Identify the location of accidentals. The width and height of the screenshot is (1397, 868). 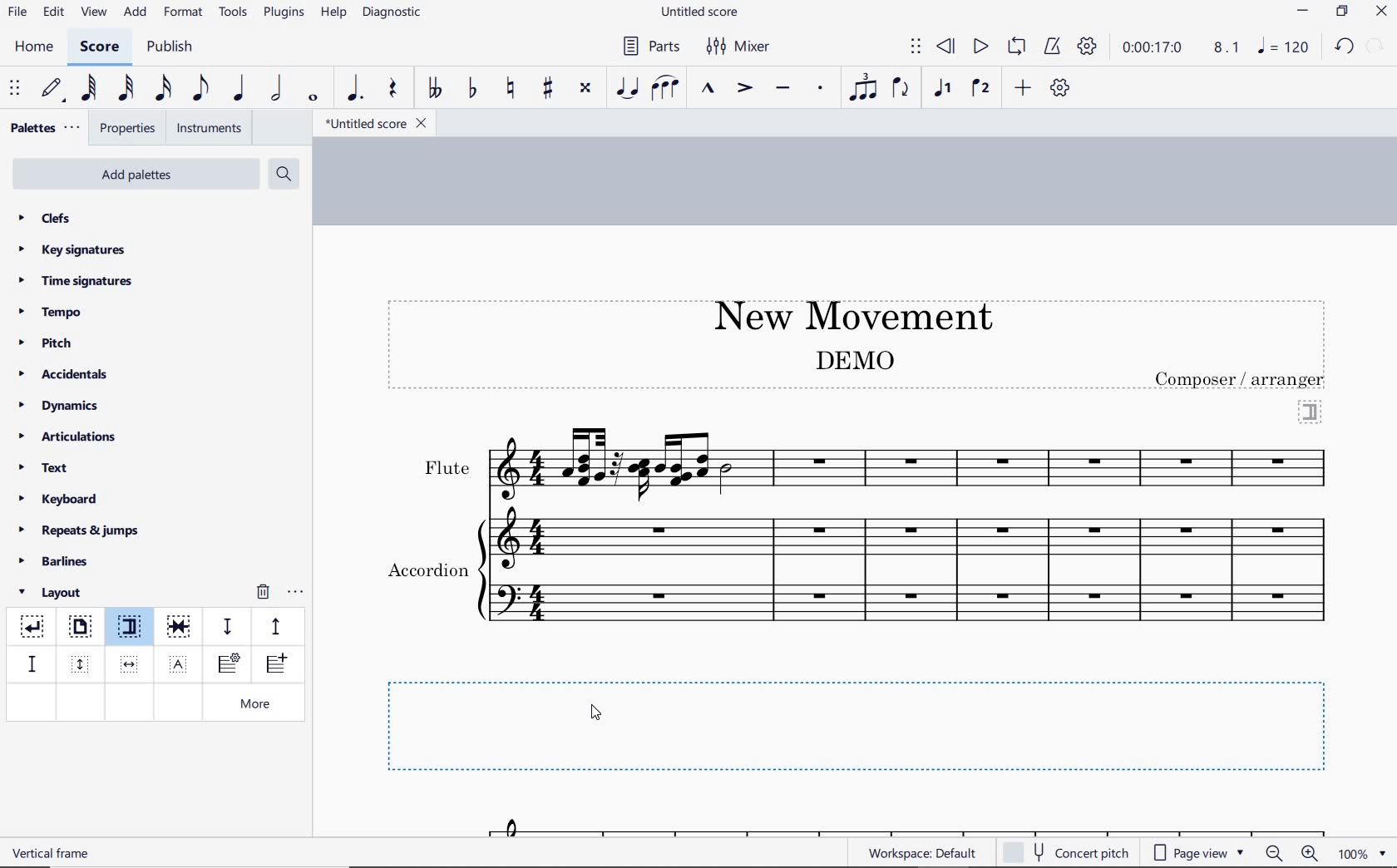
(66, 373).